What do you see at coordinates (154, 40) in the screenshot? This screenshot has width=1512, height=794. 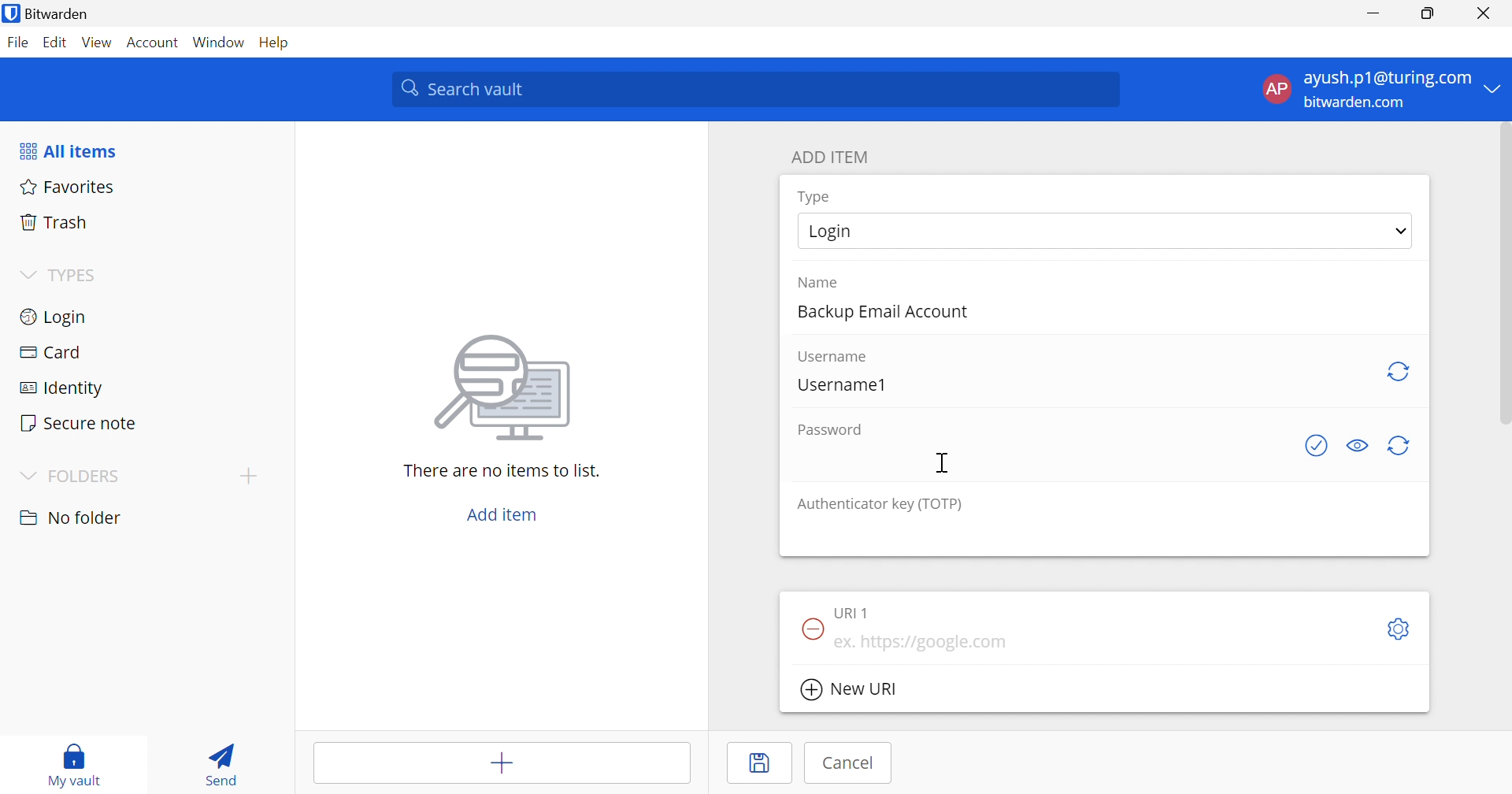 I see `Account` at bounding box center [154, 40].